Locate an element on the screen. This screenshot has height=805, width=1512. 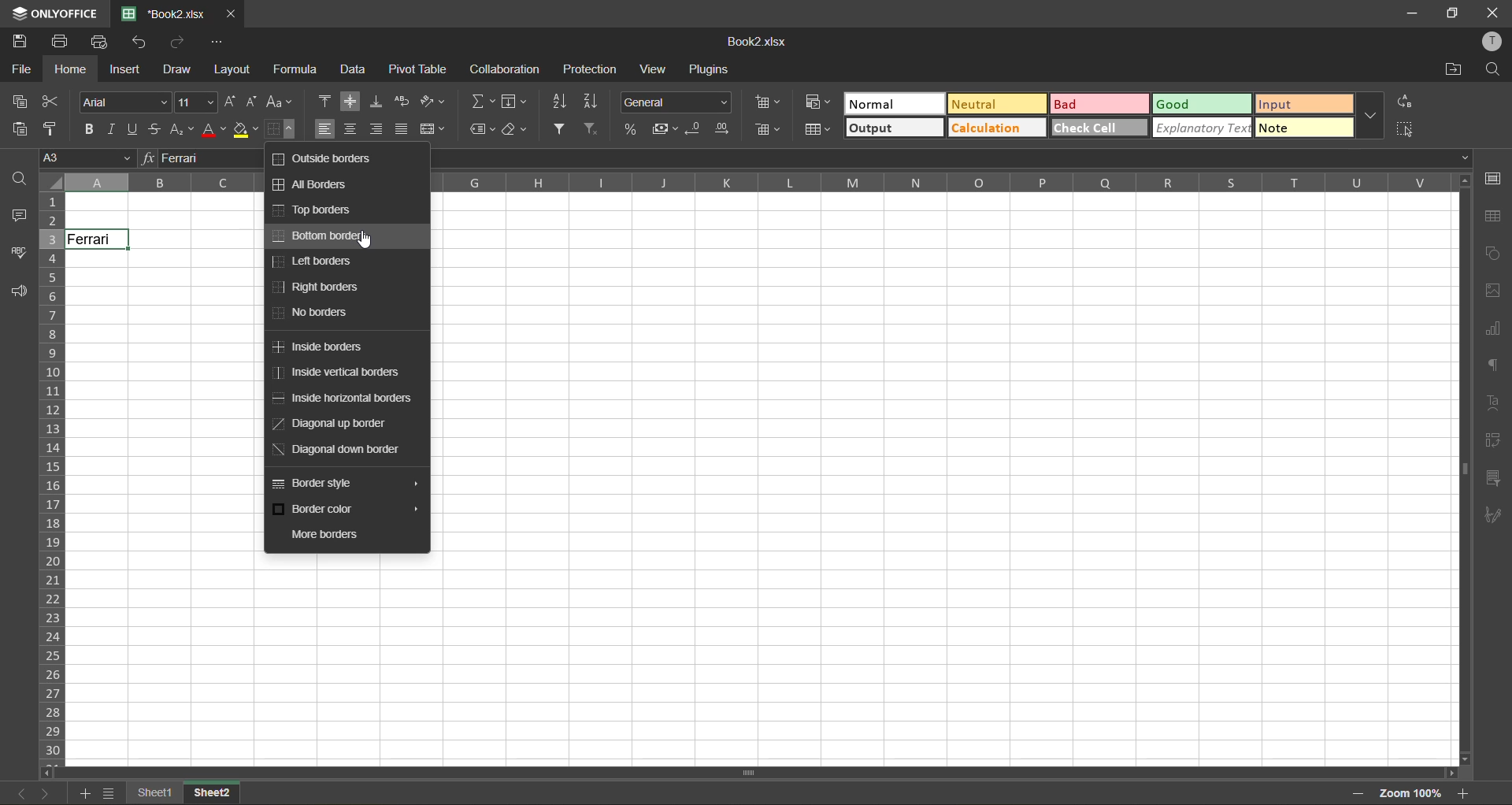
bottom borders is located at coordinates (328, 236).